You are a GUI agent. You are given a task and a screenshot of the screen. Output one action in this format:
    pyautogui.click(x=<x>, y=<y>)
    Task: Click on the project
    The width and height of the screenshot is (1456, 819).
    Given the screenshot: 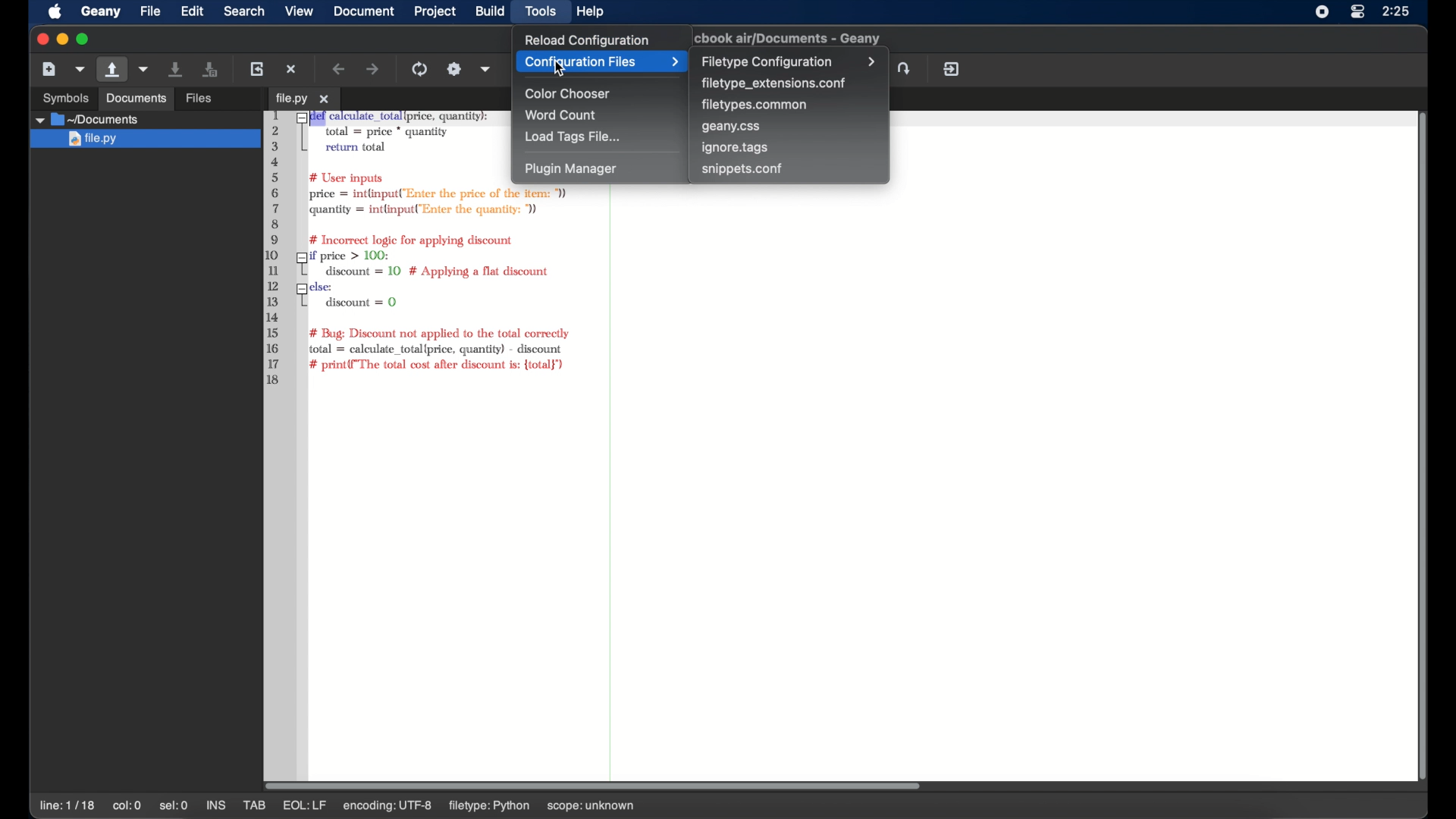 What is the action you would take?
    pyautogui.click(x=436, y=11)
    